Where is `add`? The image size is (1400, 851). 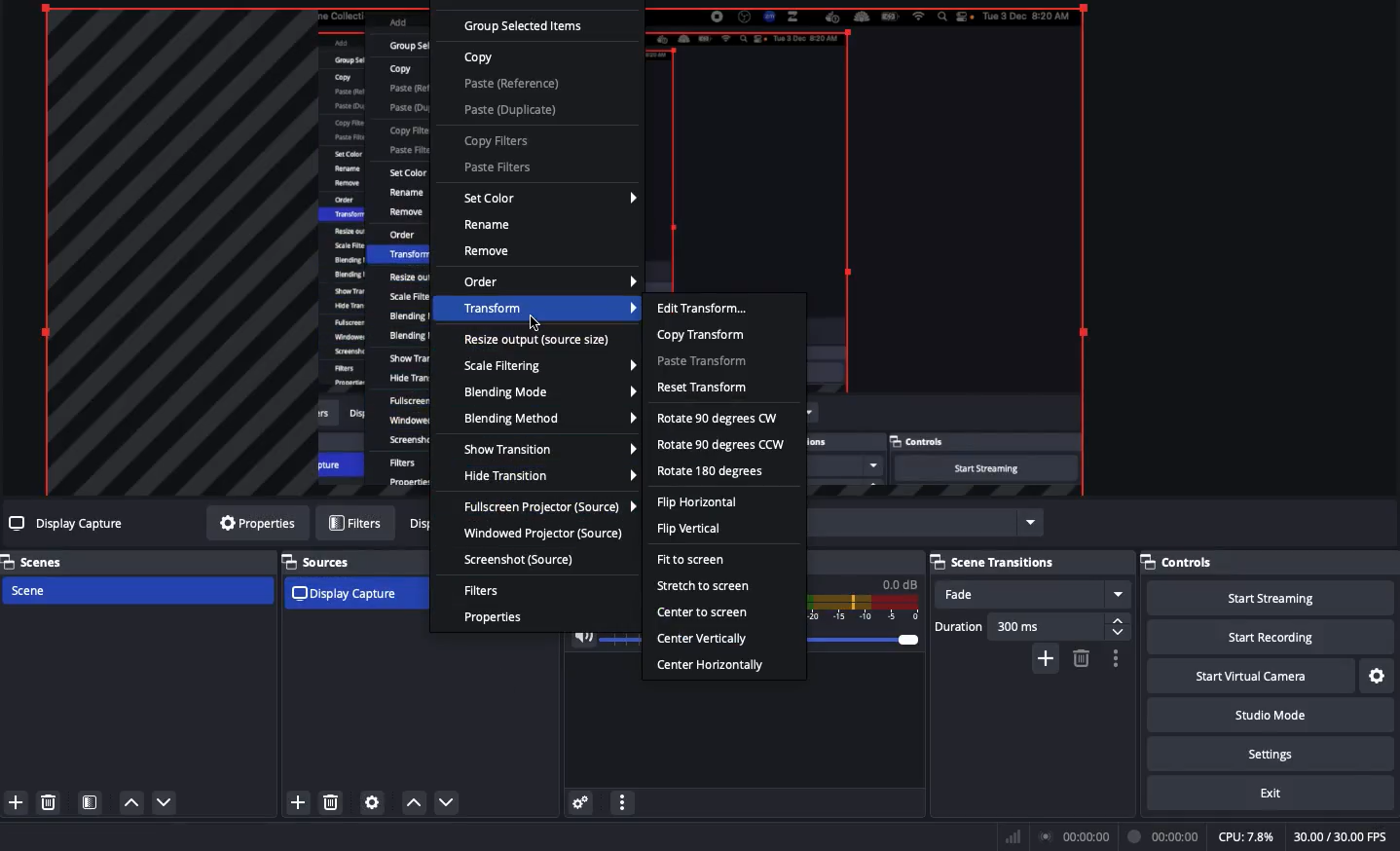 add is located at coordinates (298, 801).